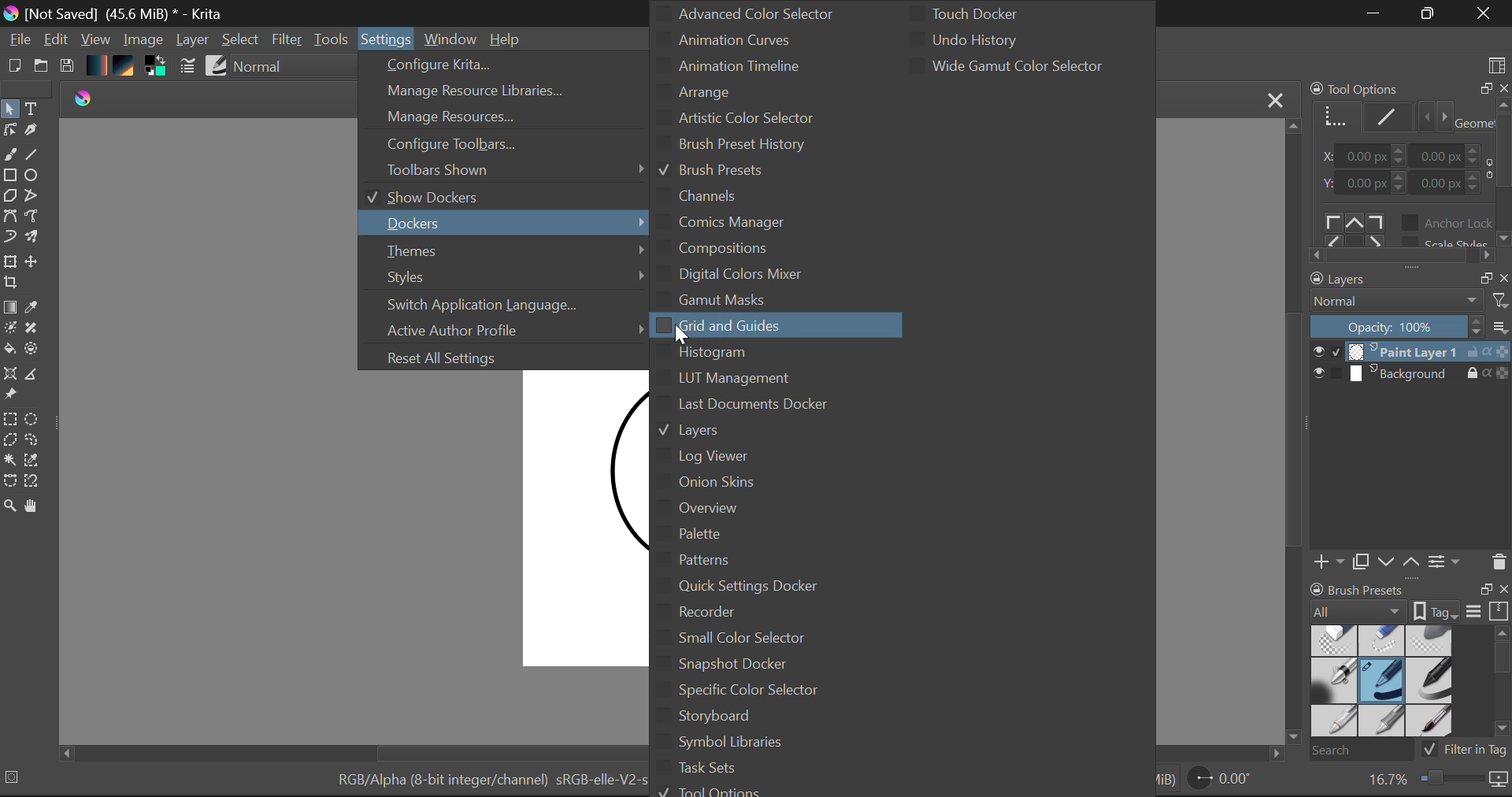  Describe the element at coordinates (1410, 601) in the screenshot. I see `Brush Presets Docket Tab` at that location.